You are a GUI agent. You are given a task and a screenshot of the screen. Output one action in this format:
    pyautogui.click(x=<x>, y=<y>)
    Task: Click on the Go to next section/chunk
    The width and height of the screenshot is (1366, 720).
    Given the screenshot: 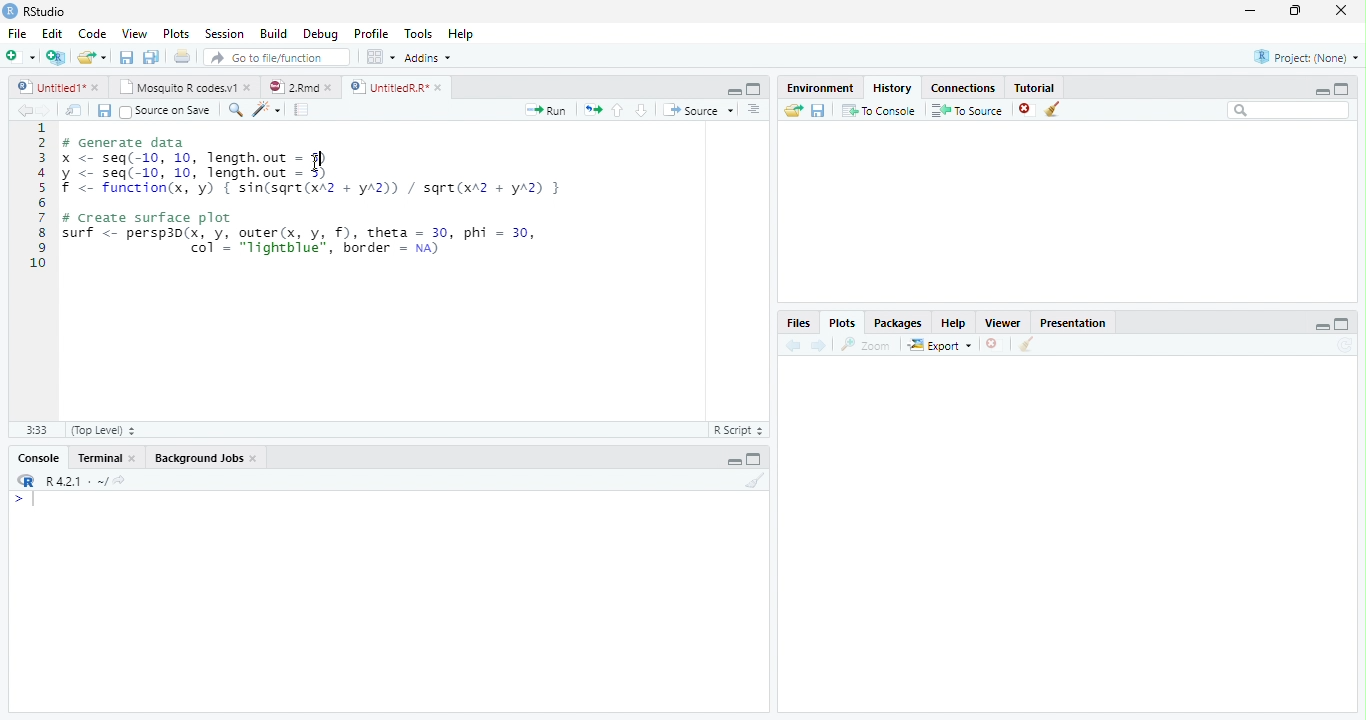 What is the action you would take?
    pyautogui.click(x=641, y=109)
    